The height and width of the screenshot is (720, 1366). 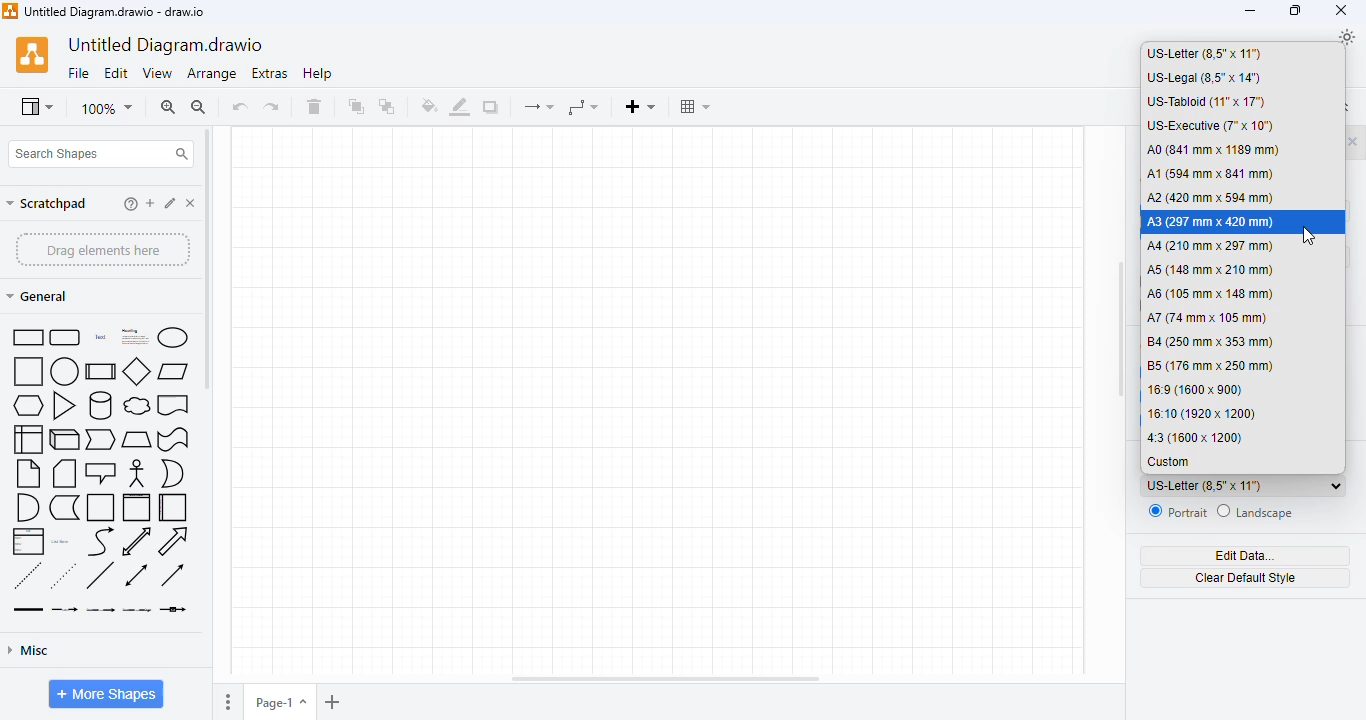 What do you see at coordinates (1250, 12) in the screenshot?
I see `minimize` at bounding box center [1250, 12].